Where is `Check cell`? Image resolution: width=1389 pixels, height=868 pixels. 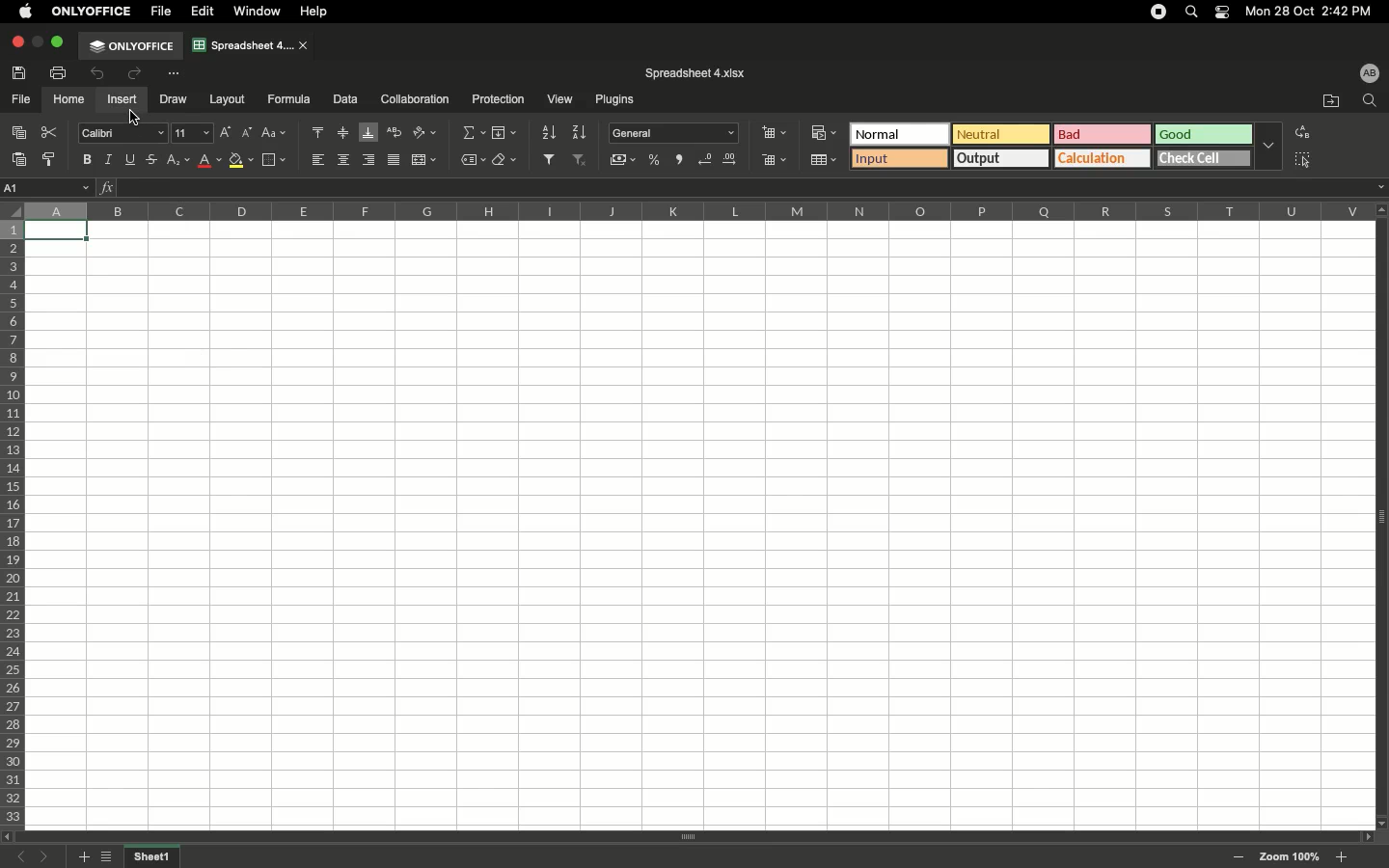 Check cell is located at coordinates (1206, 157).